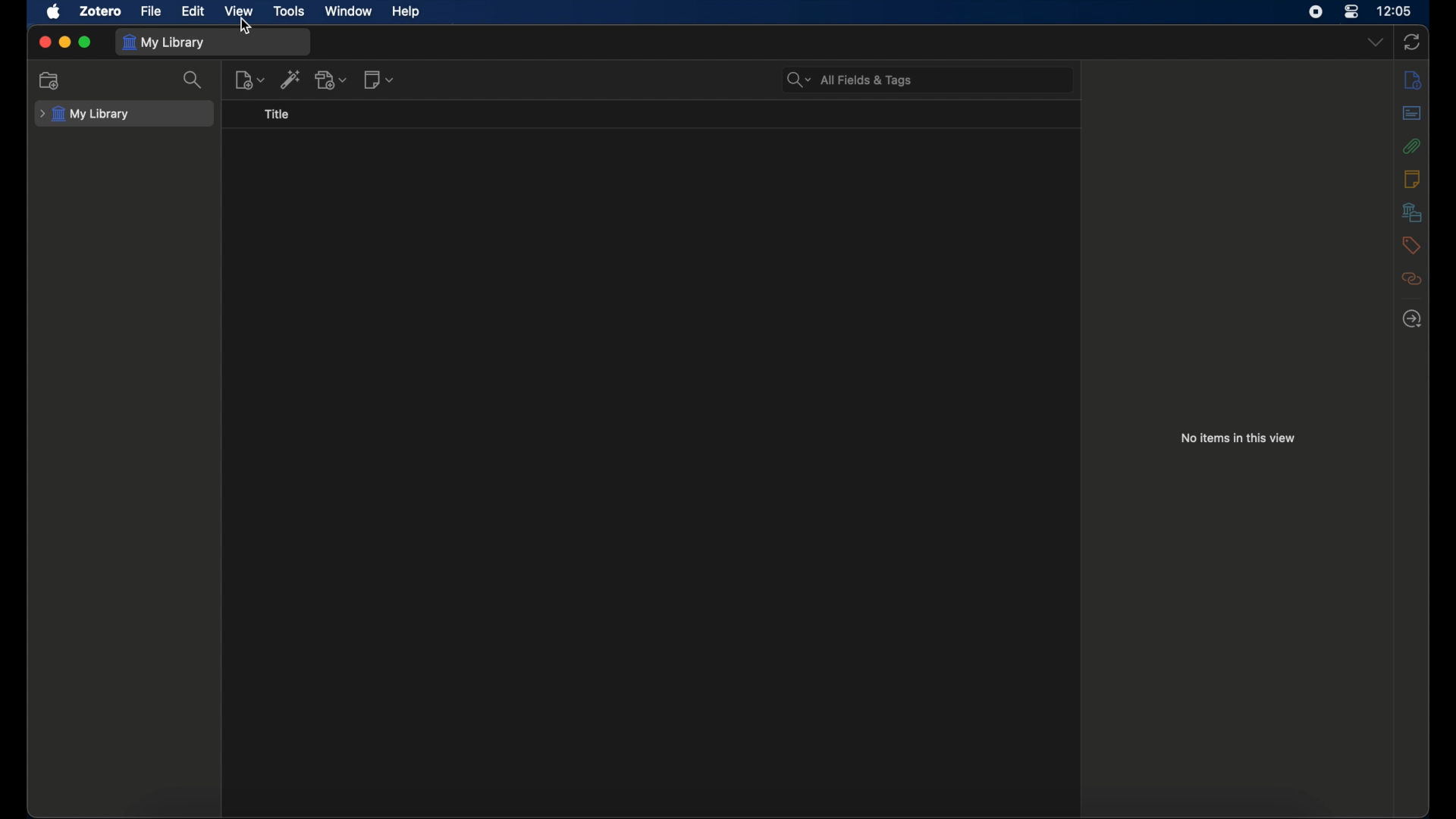 Image resolution: width=1456 pixels, height=819 pixels. What do you see at coordinates (333, 80) in the screenshot?
I see `add attachments` at bounding box center [333, 80].